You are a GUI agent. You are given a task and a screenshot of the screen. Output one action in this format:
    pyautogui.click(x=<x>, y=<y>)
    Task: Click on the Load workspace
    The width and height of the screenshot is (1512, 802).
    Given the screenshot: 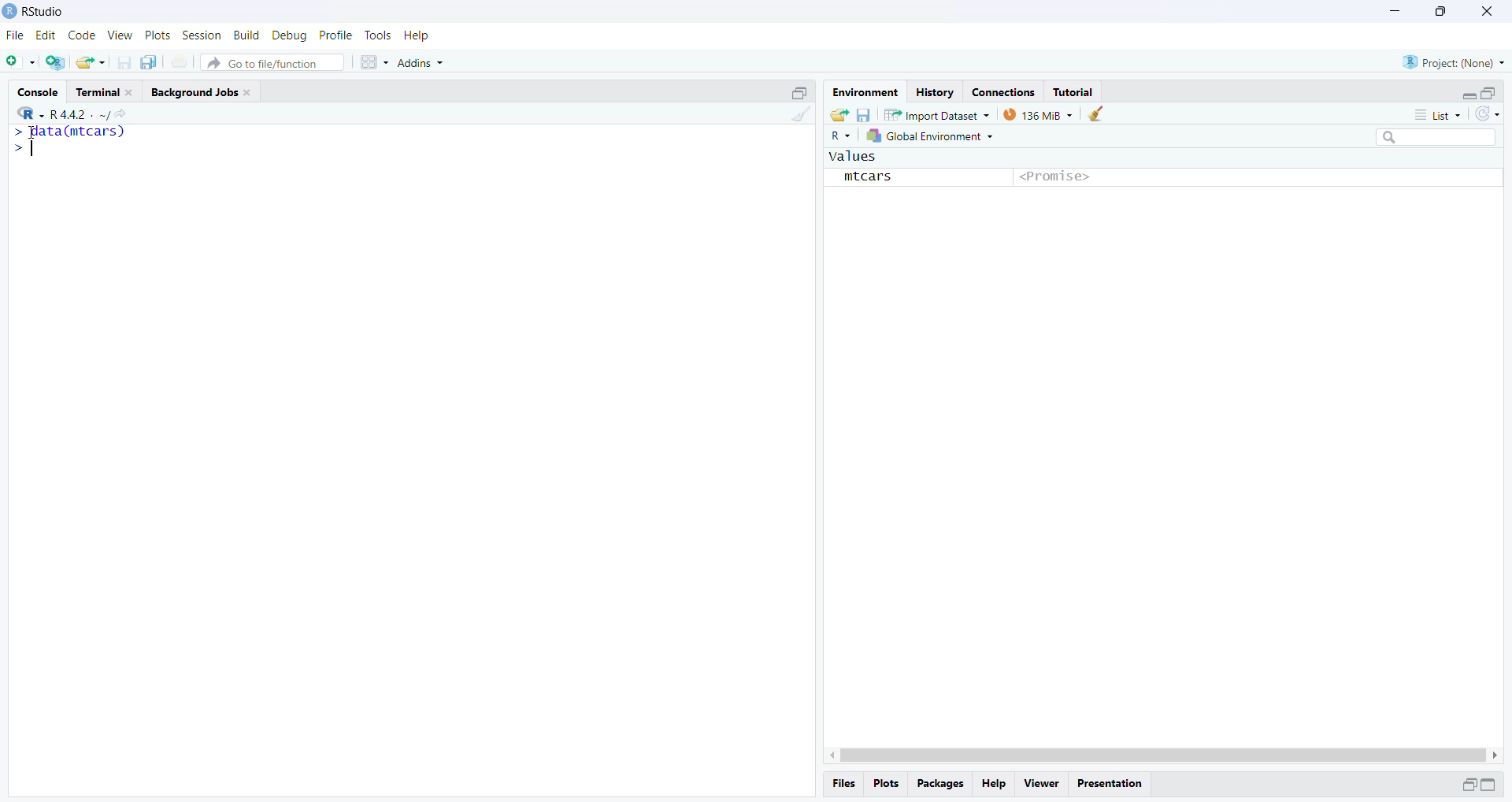 What is the action you would take?
    pyautogui.click(x=837, y=114)
    